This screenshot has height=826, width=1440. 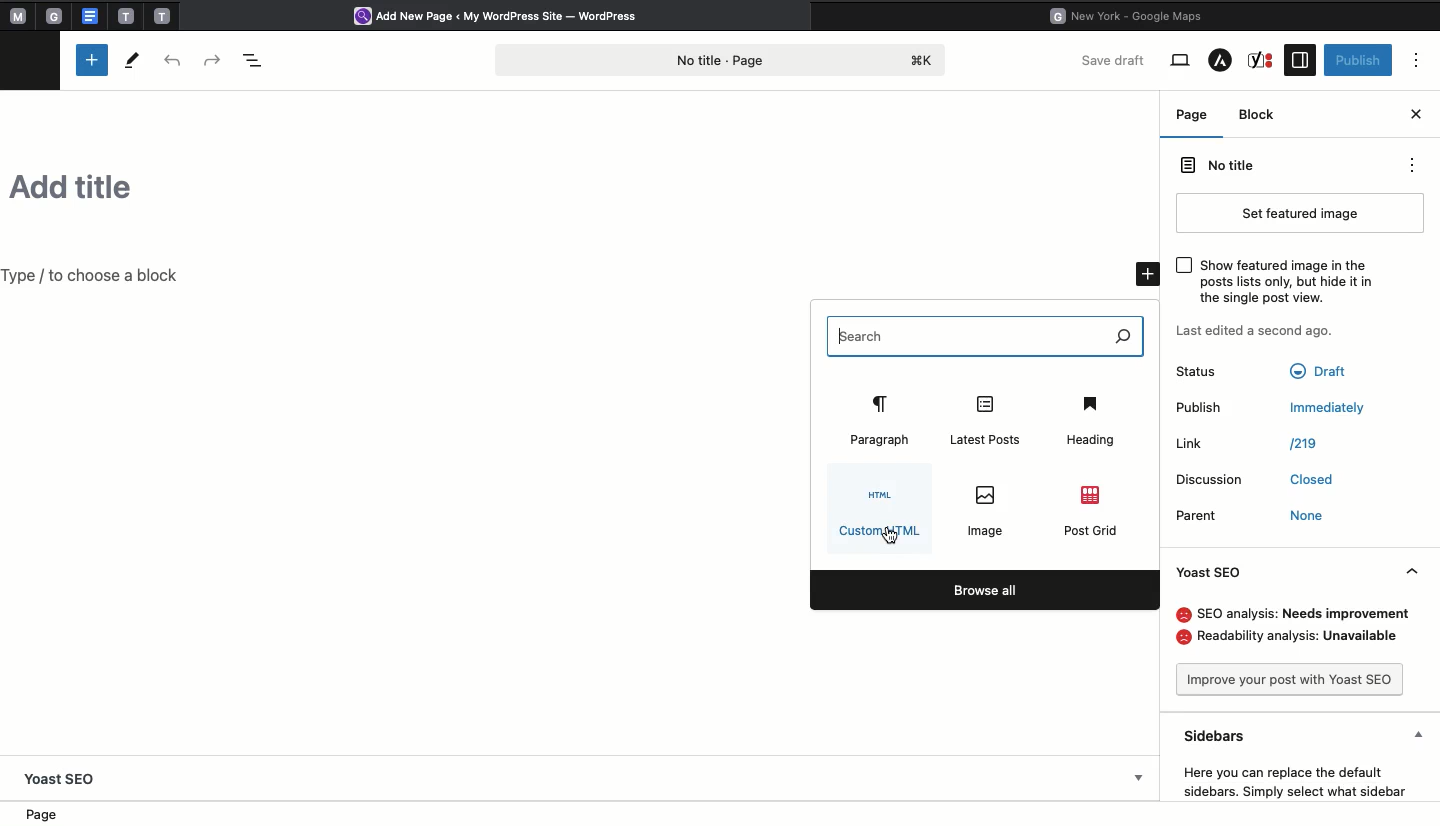 What do you see at coordinates (1299, 627) in the screenshot?
I see `Analysis ` at bounding box center [1299, 627].